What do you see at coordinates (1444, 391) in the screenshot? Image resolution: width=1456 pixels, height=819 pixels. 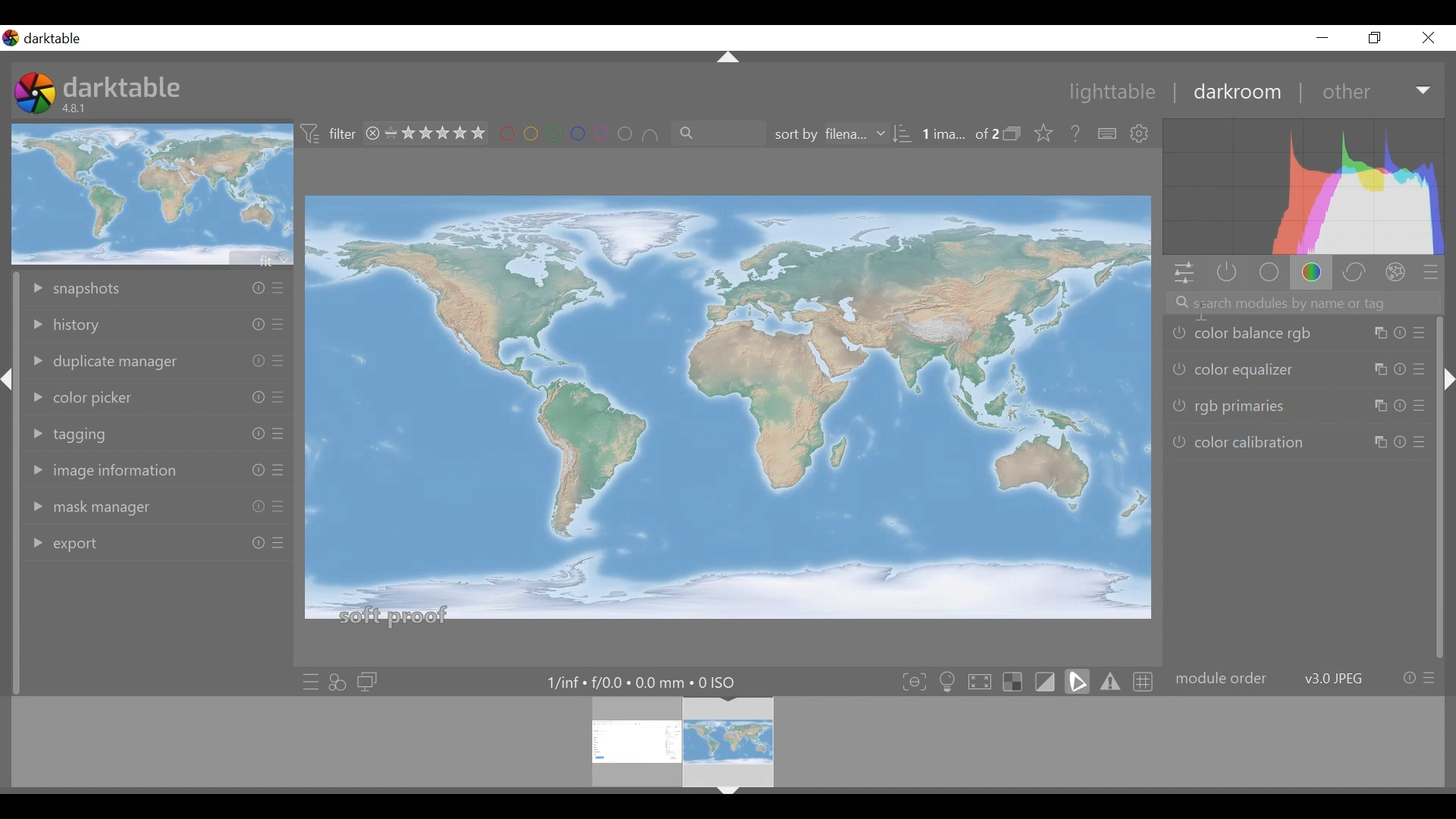 I see `` at bounding box center [1444, 391].